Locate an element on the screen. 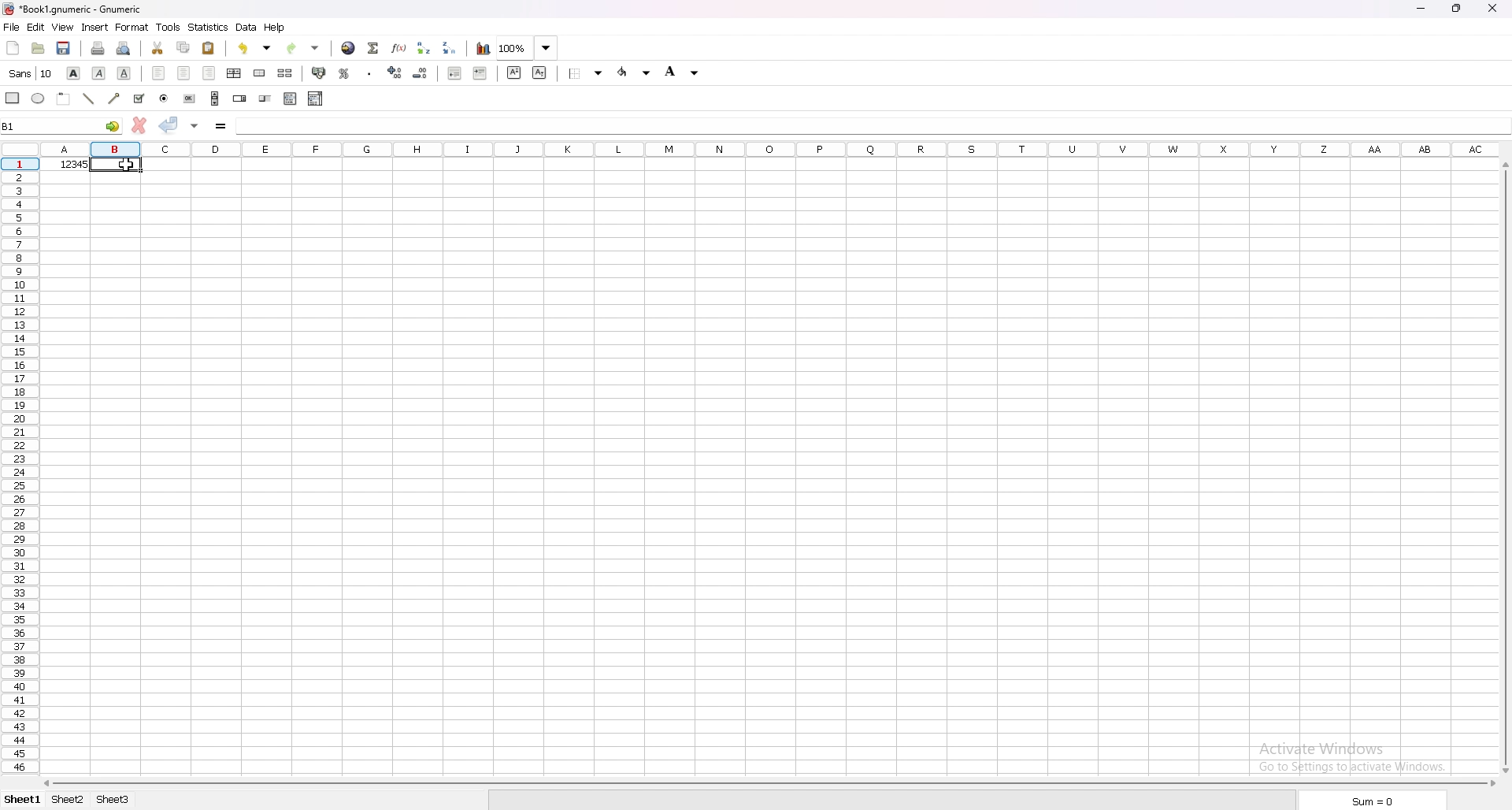 The width and height of the screenshot is (1512, 810). sheet1 is located at coordinates (20, 803).